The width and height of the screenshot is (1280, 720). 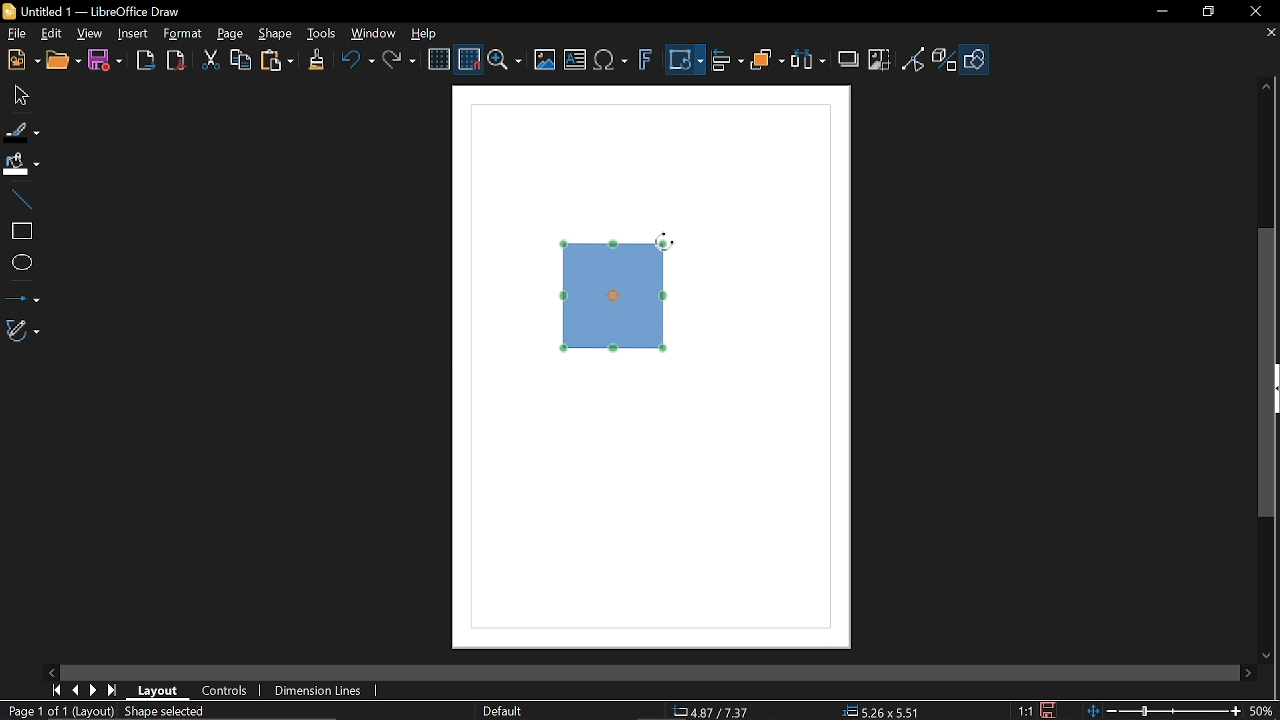 What do you see at coordinates (574, 61) in the screenshot?
I see `Insert text` at bounding box center [574, 61].